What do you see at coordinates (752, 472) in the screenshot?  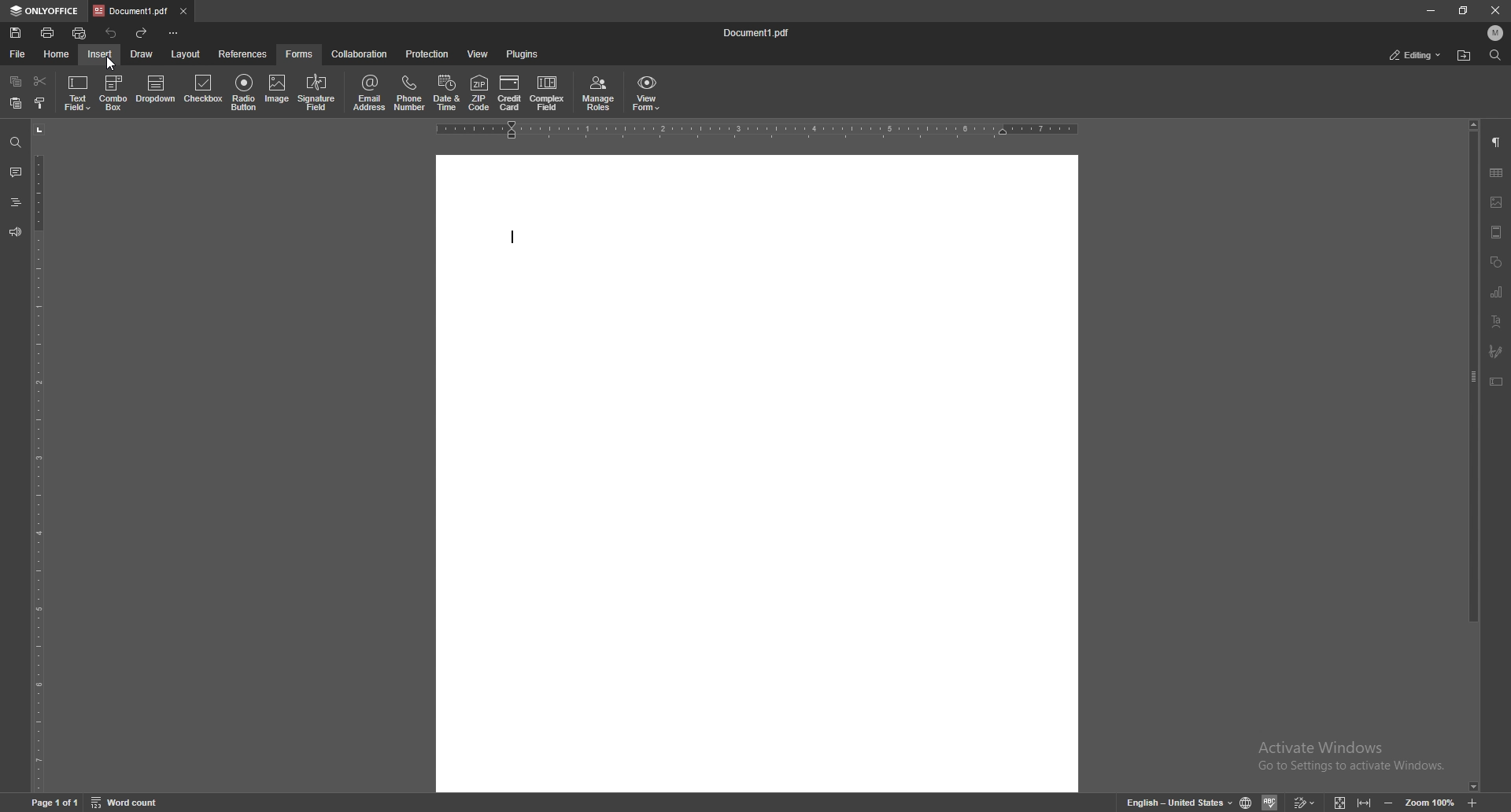 I see `workspace` at bounding box center [752, 472].